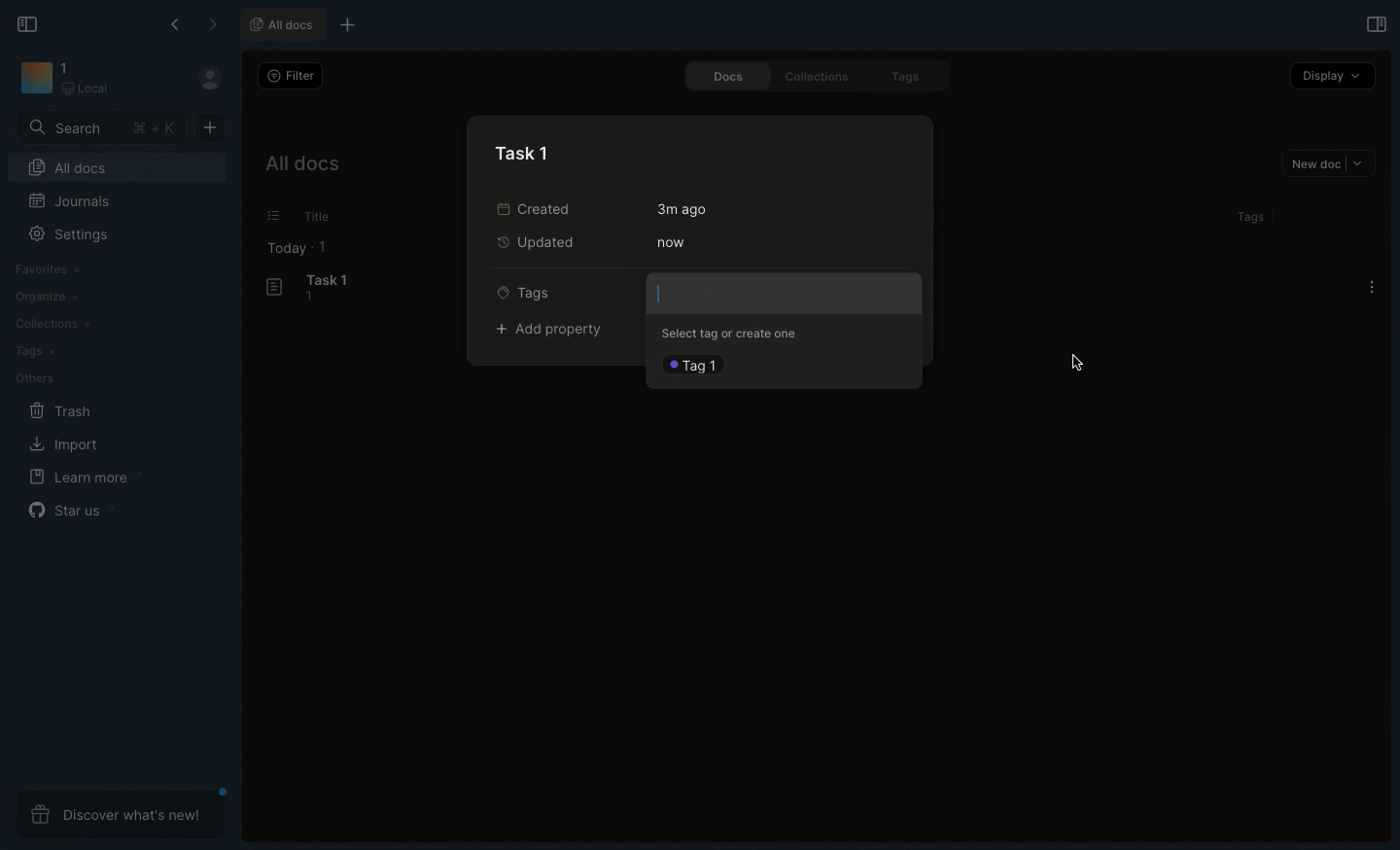 The height and width of the screenshot is (850, 1400). What do you see at coordinates (50, 269) in the screenshot?
I see `Favorites` at bounding box center [50, 269].